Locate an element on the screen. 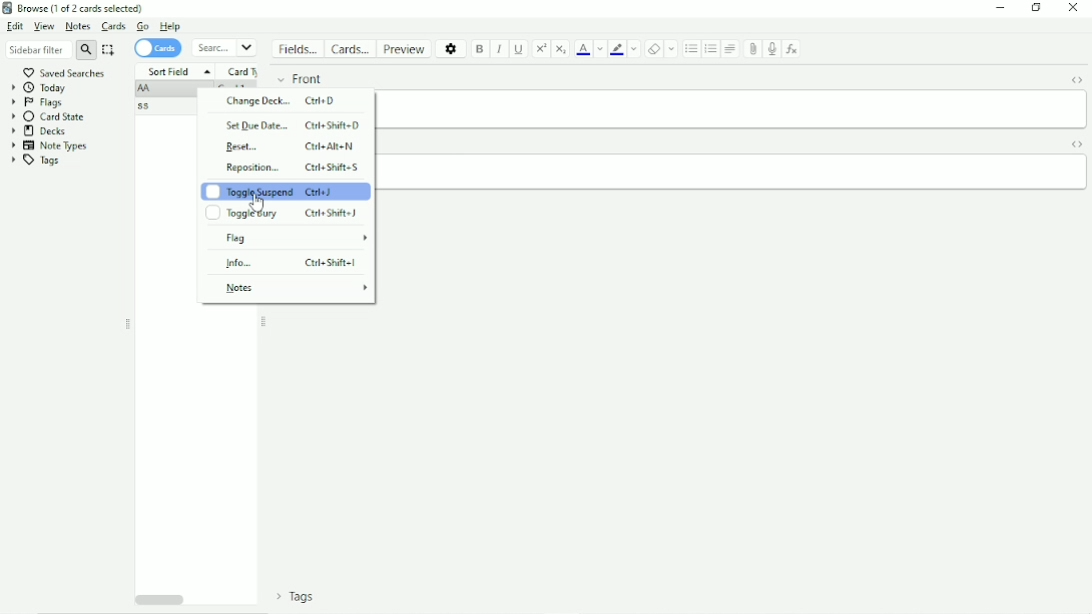  Close is located at coordinates (1072, 9).